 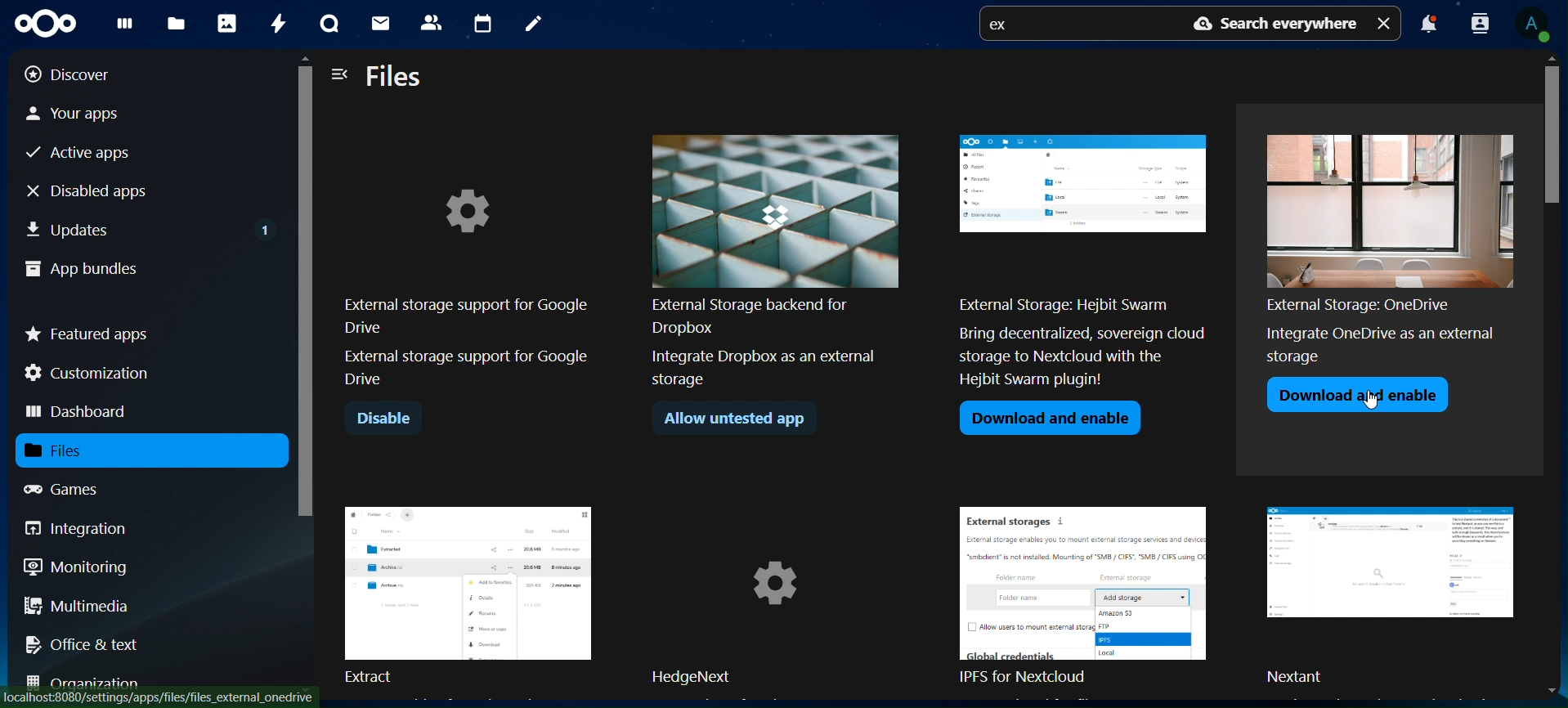 I want to click on multimedia, so click(x=78, y=608).